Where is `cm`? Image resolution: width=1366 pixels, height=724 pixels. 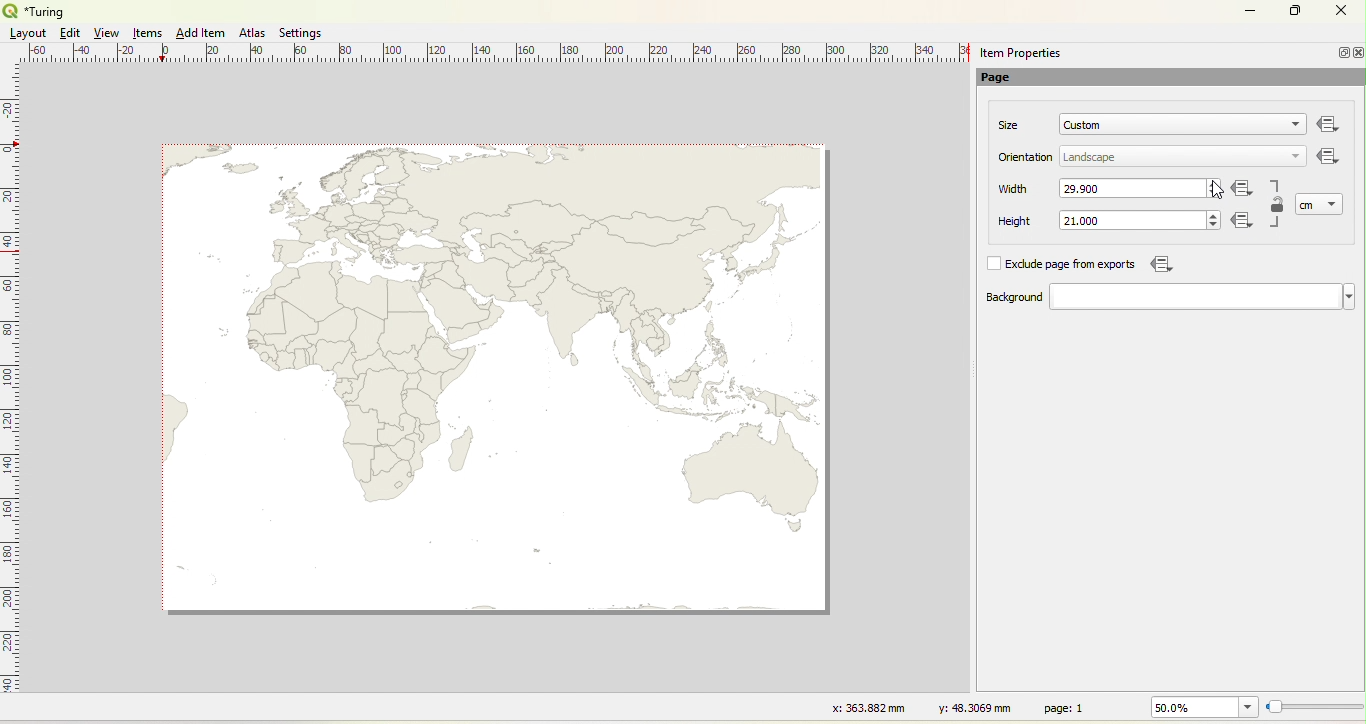 cm is located at coordinates (1308, 205).